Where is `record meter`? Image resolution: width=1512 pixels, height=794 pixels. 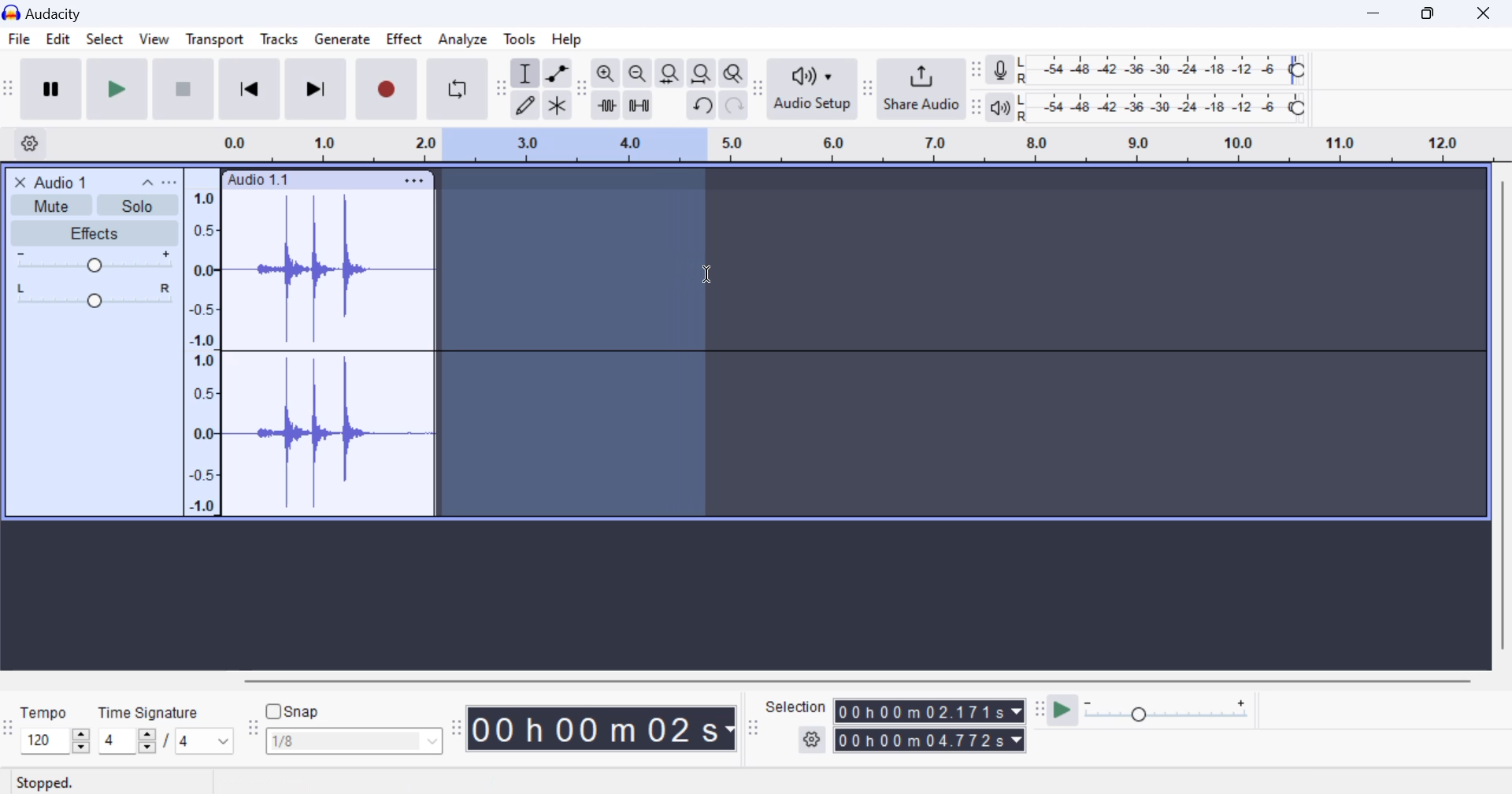
record meter is located at coordinates (1001, 72).